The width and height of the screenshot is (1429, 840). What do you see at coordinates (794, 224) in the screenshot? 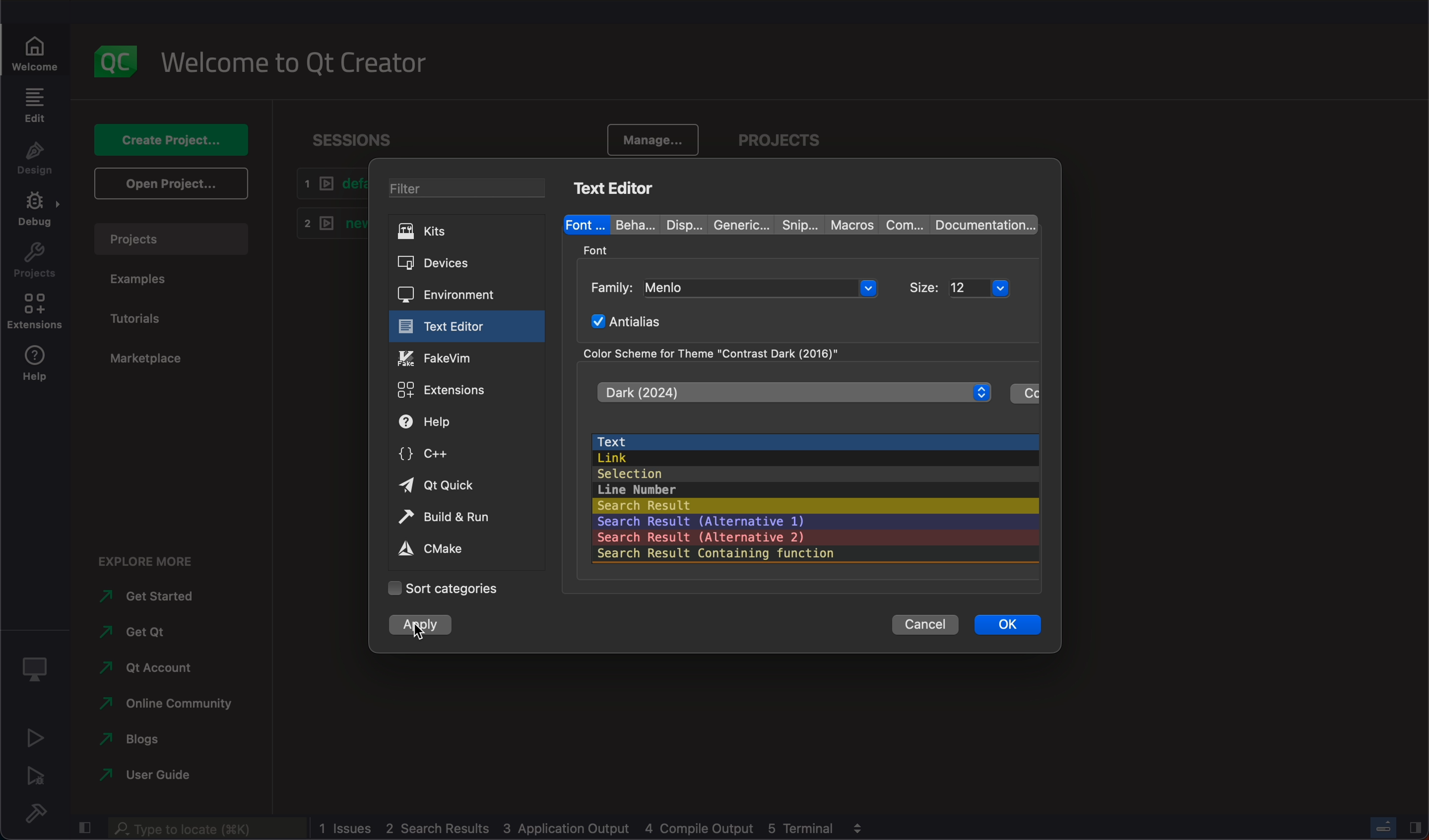
I see `snip` at bounding box center [794, 224].